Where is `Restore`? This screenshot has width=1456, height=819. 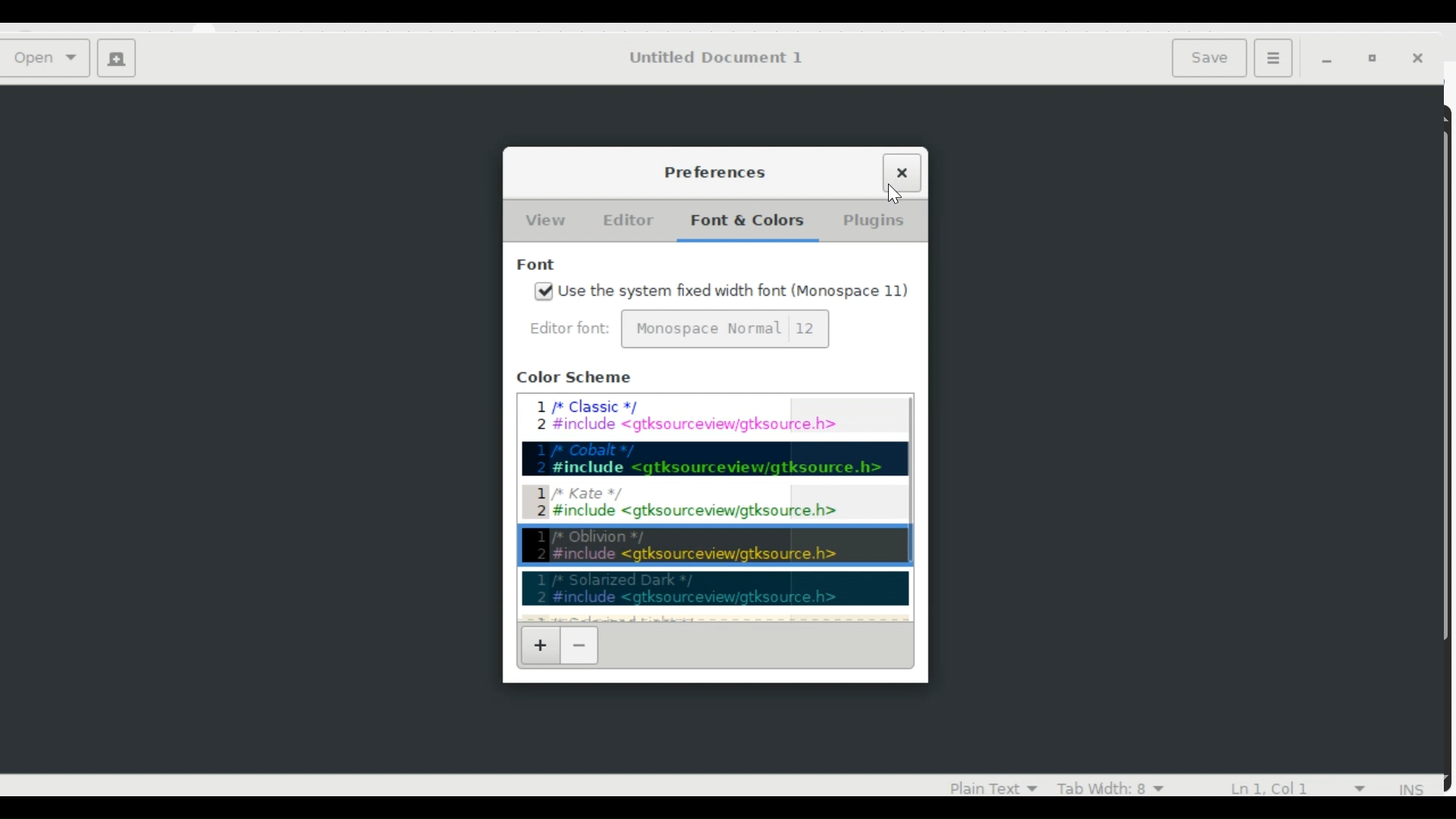 Restore is located at coordinates (1376, 59).